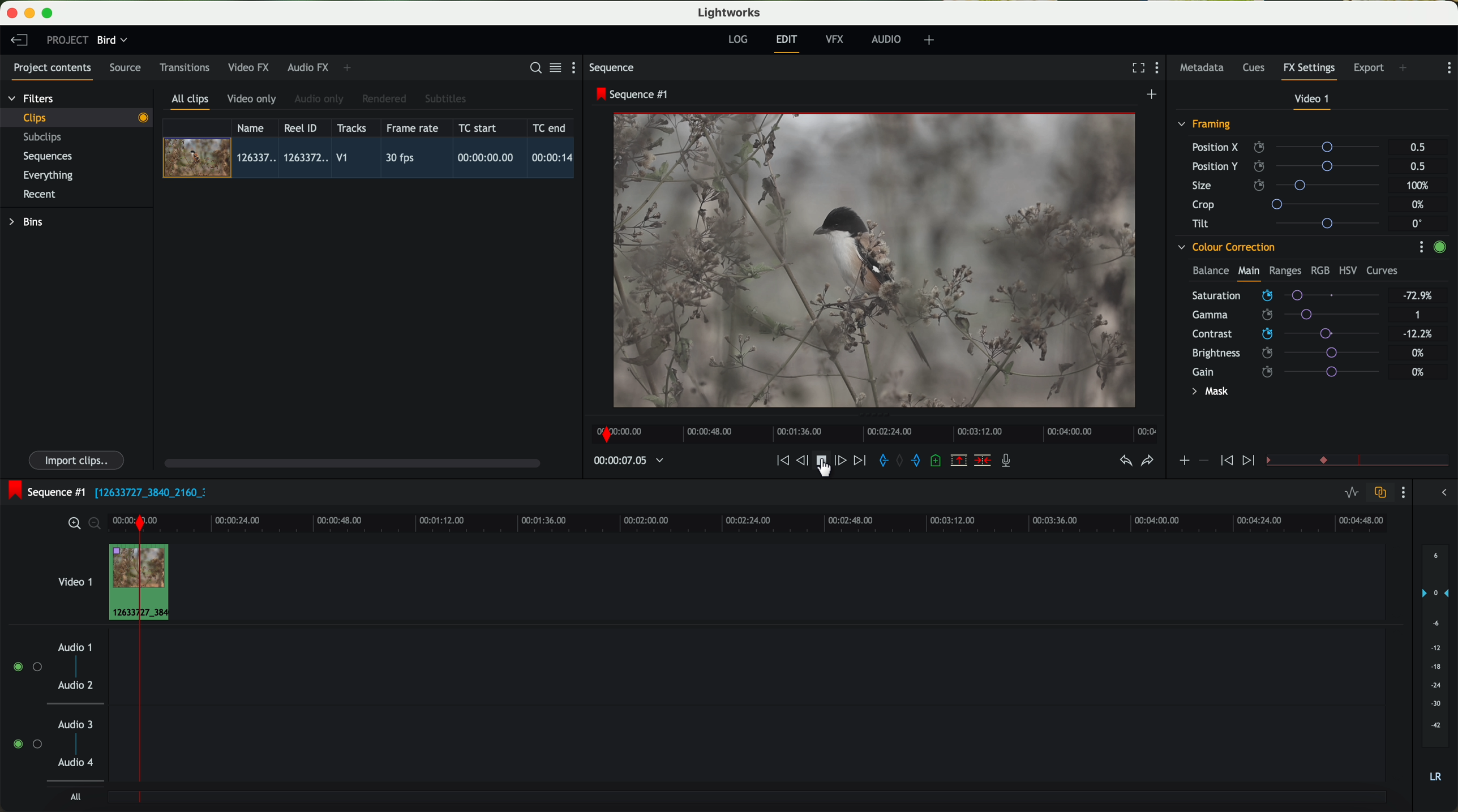 Image resolution: width=1458 pixels, height=812 pixels. I want to click on VFX, so click(837, 40).